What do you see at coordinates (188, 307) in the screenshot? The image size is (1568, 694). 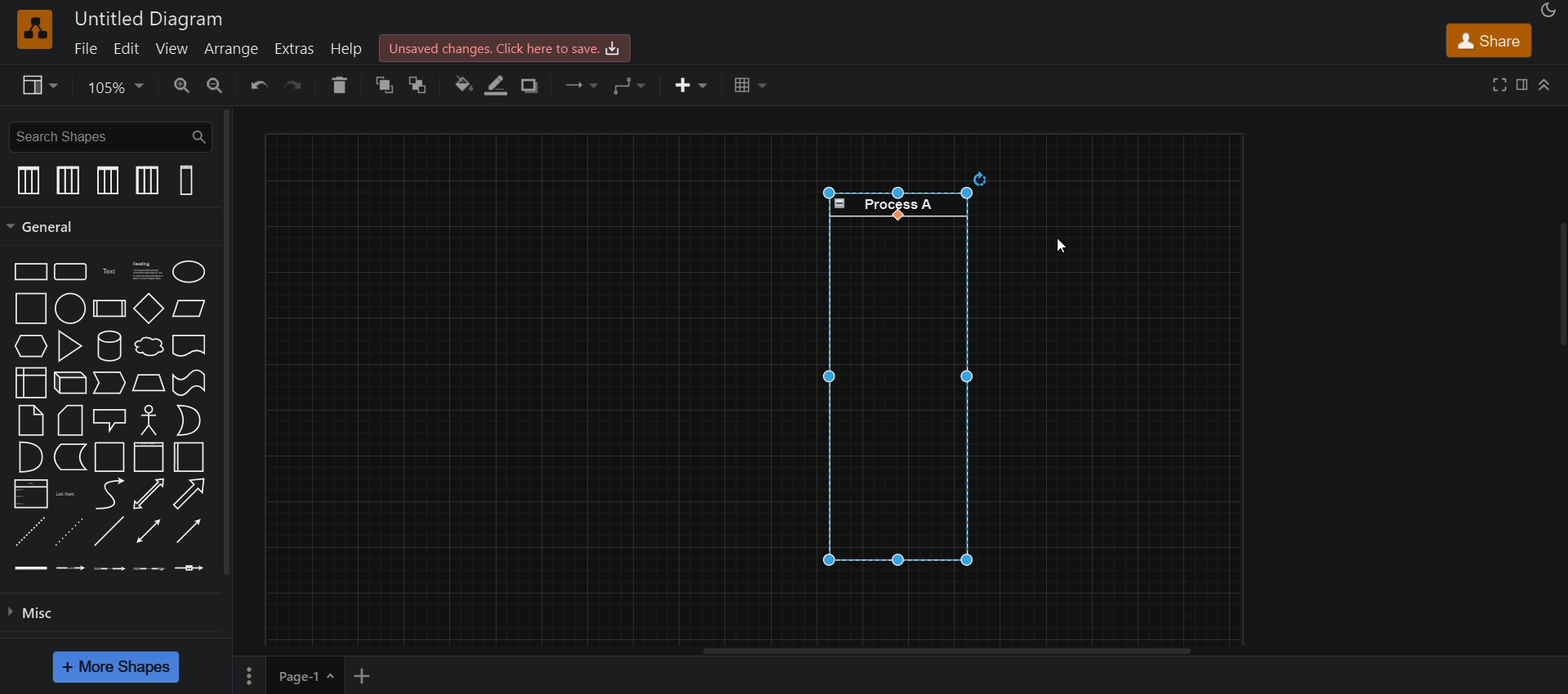 I see `parallelogram` at bounding box center [188, 307].